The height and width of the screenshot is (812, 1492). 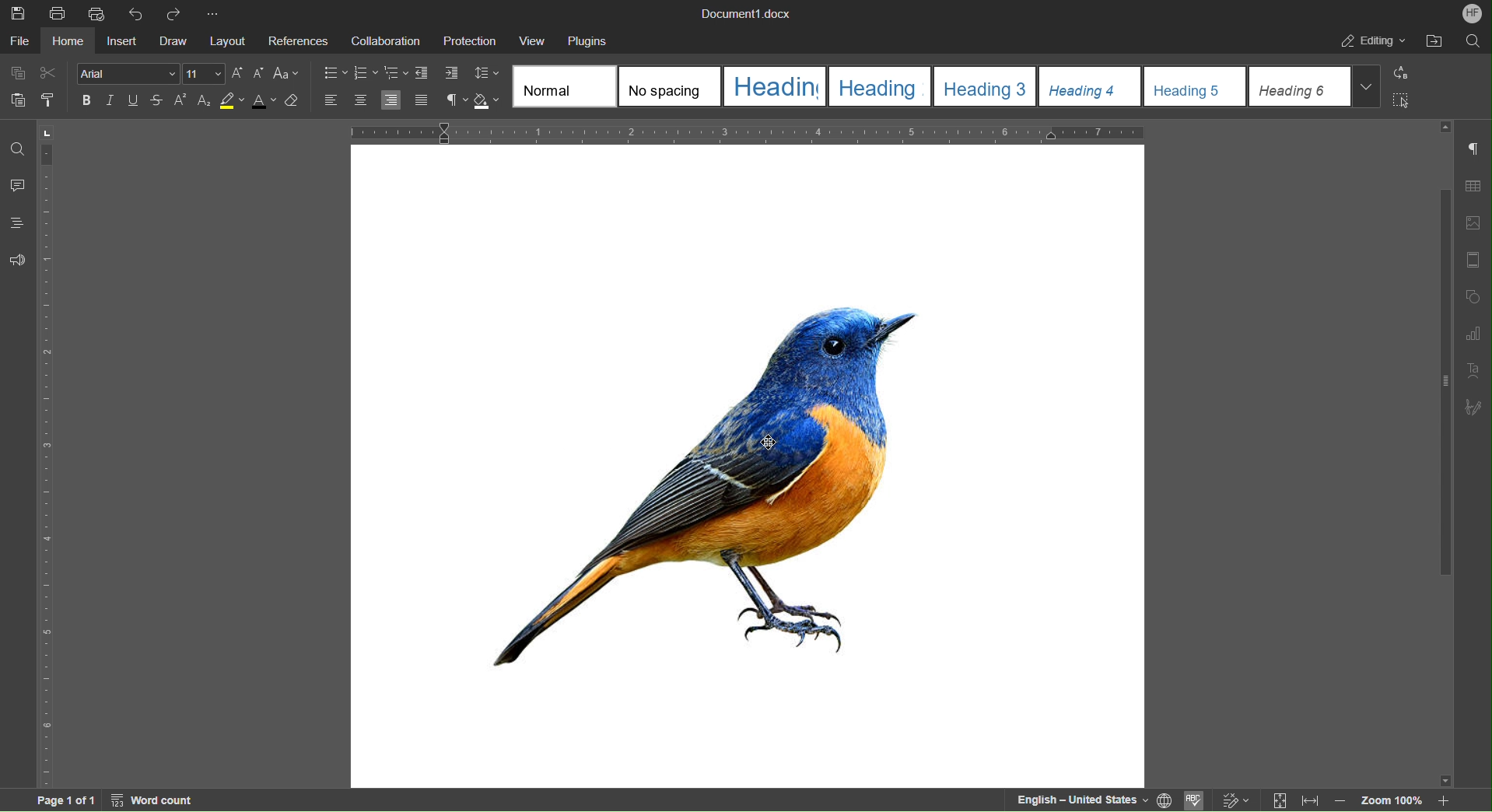 I want to click on Increase Indent, so click(x=451, y=75).